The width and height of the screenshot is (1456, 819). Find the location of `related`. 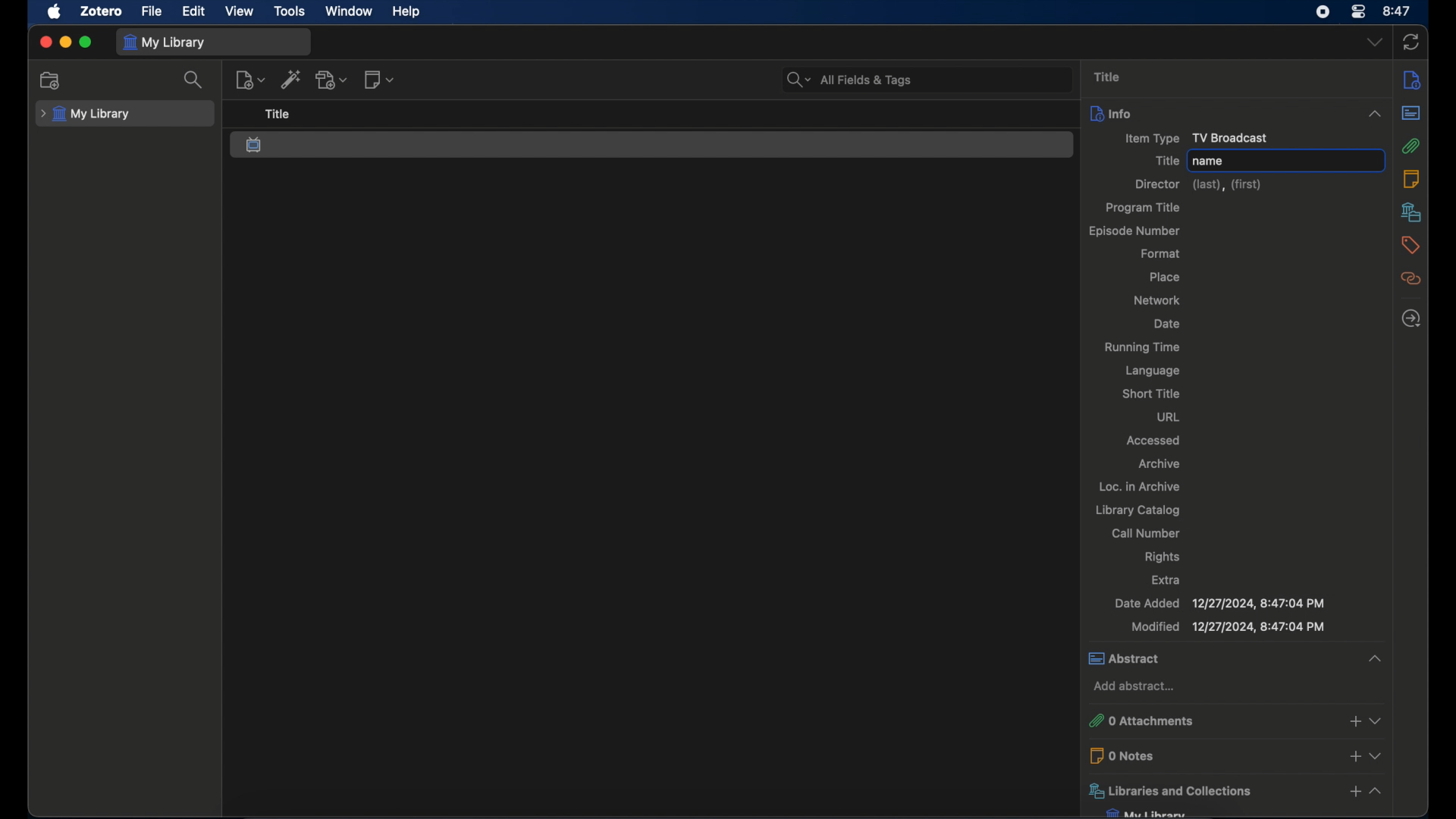

related is located at coordinates (1411, 278).